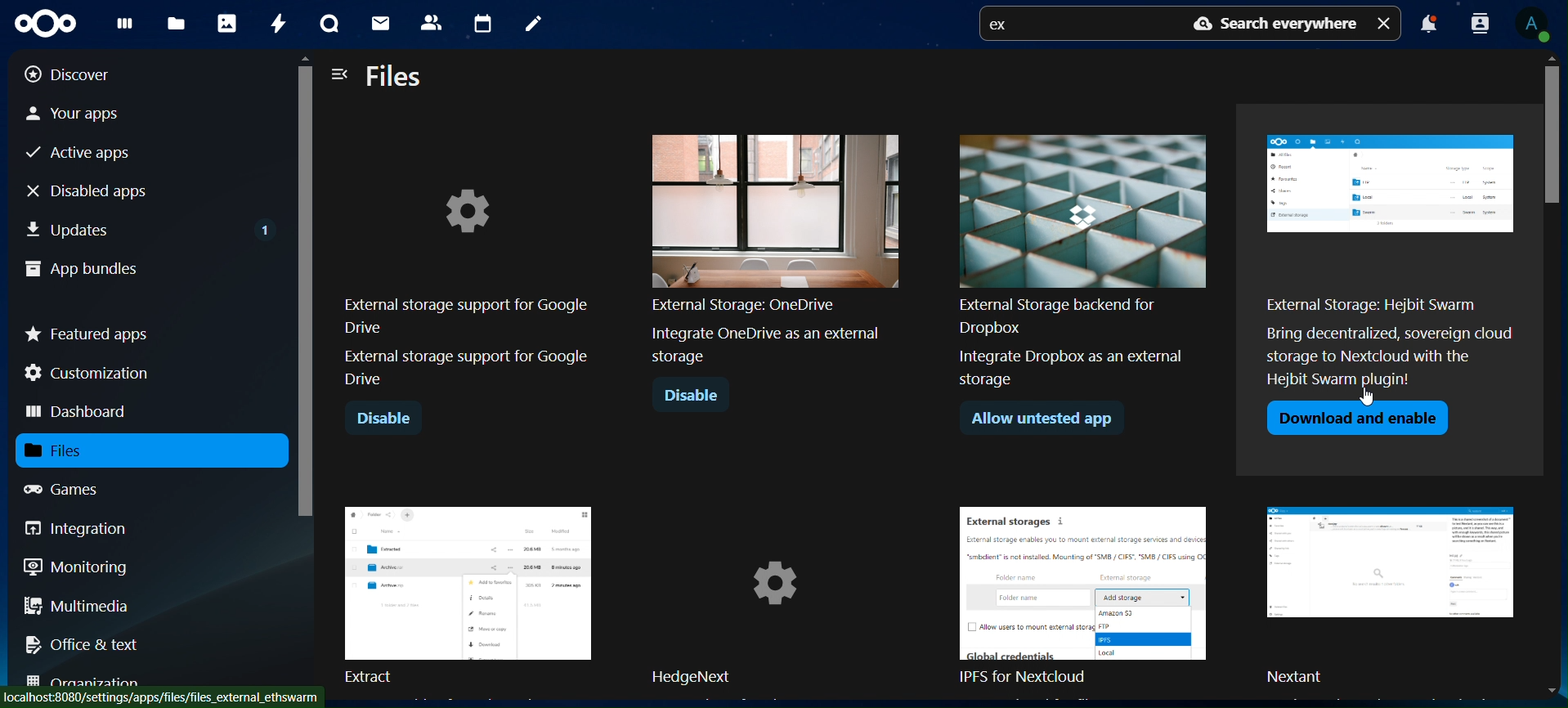 This screenshot has width=1568, height=708. What do you see at coordinates (1093, 598) in the screenshot?
I see `IPFS for nextcloud` at bounding box center [1093, 598].